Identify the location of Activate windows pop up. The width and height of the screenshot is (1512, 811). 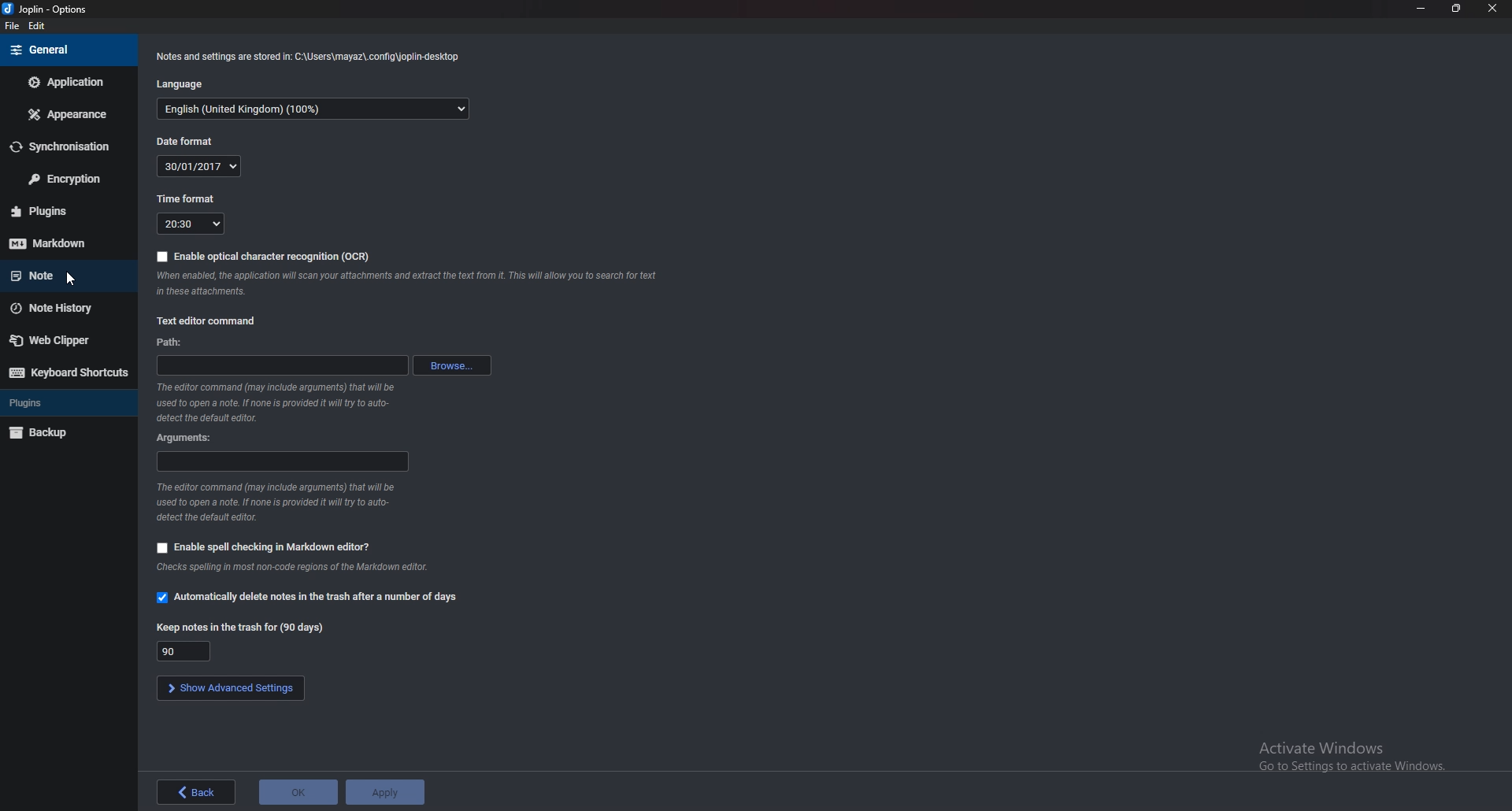
(1357, 753).